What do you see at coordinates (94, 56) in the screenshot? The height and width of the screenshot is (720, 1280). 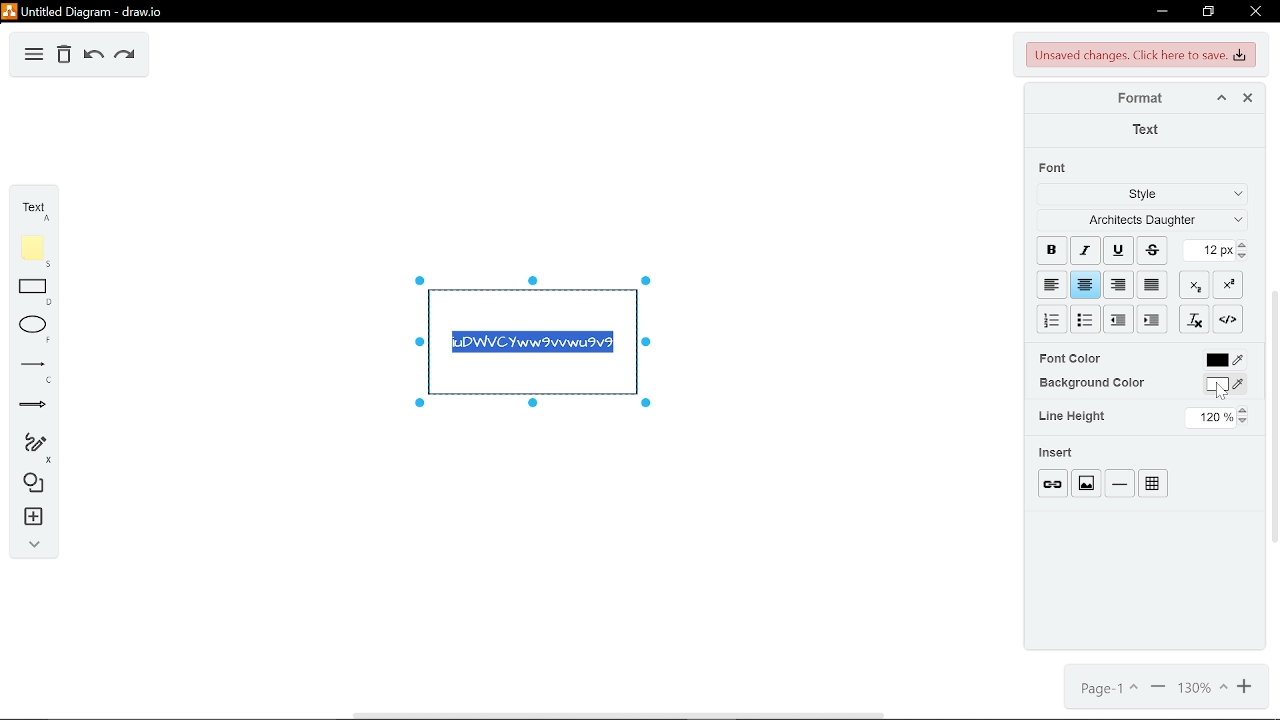 I see `undo` at bounding box center [94, 56].